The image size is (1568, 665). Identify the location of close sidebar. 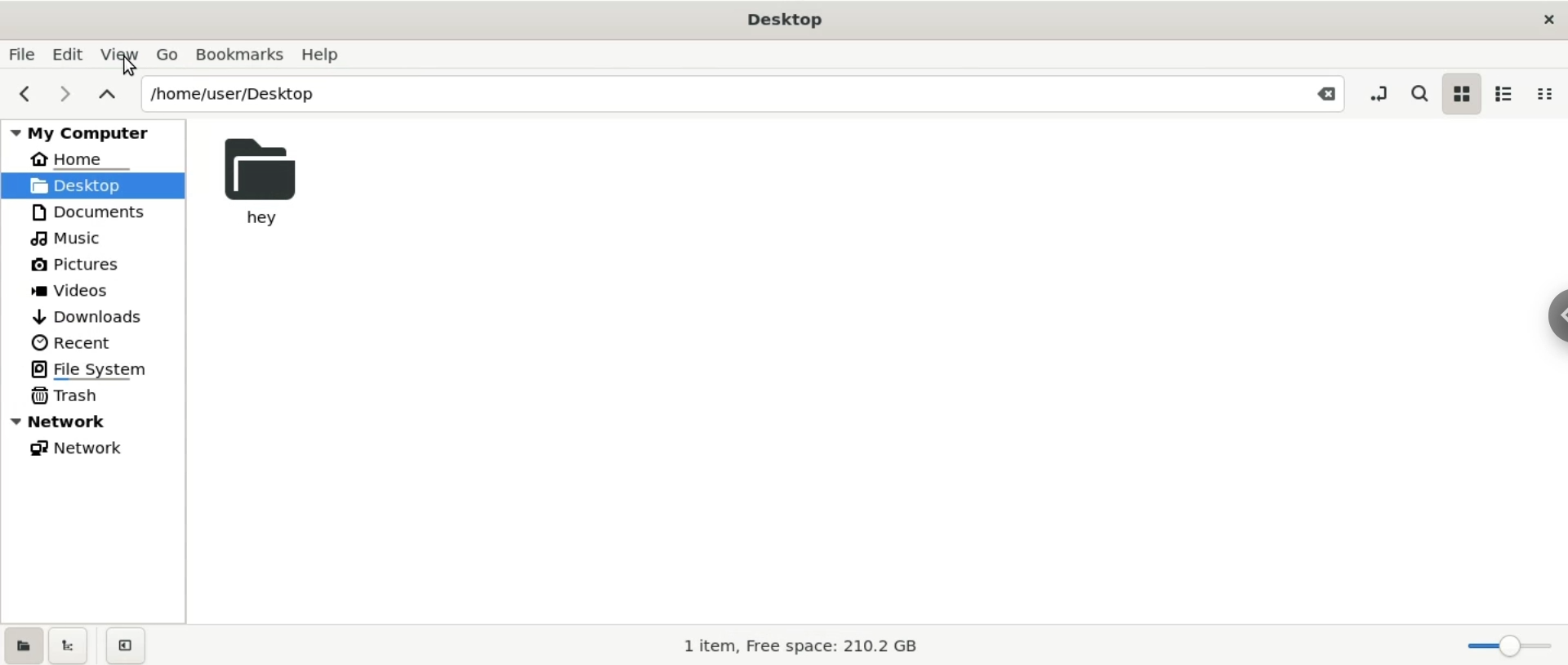
(121, 647).